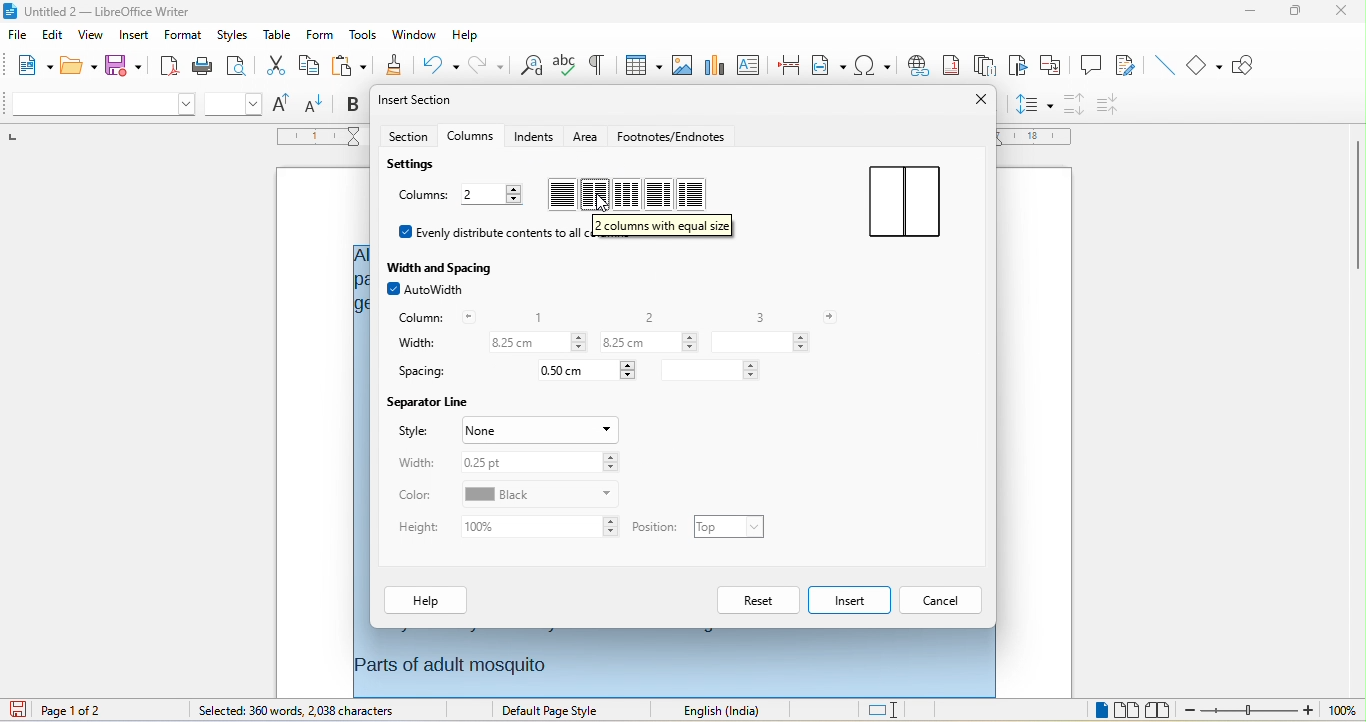 Image resolution: width=1366 pixels, height=722 pixels. I want to click on set position, so click(729, 527).